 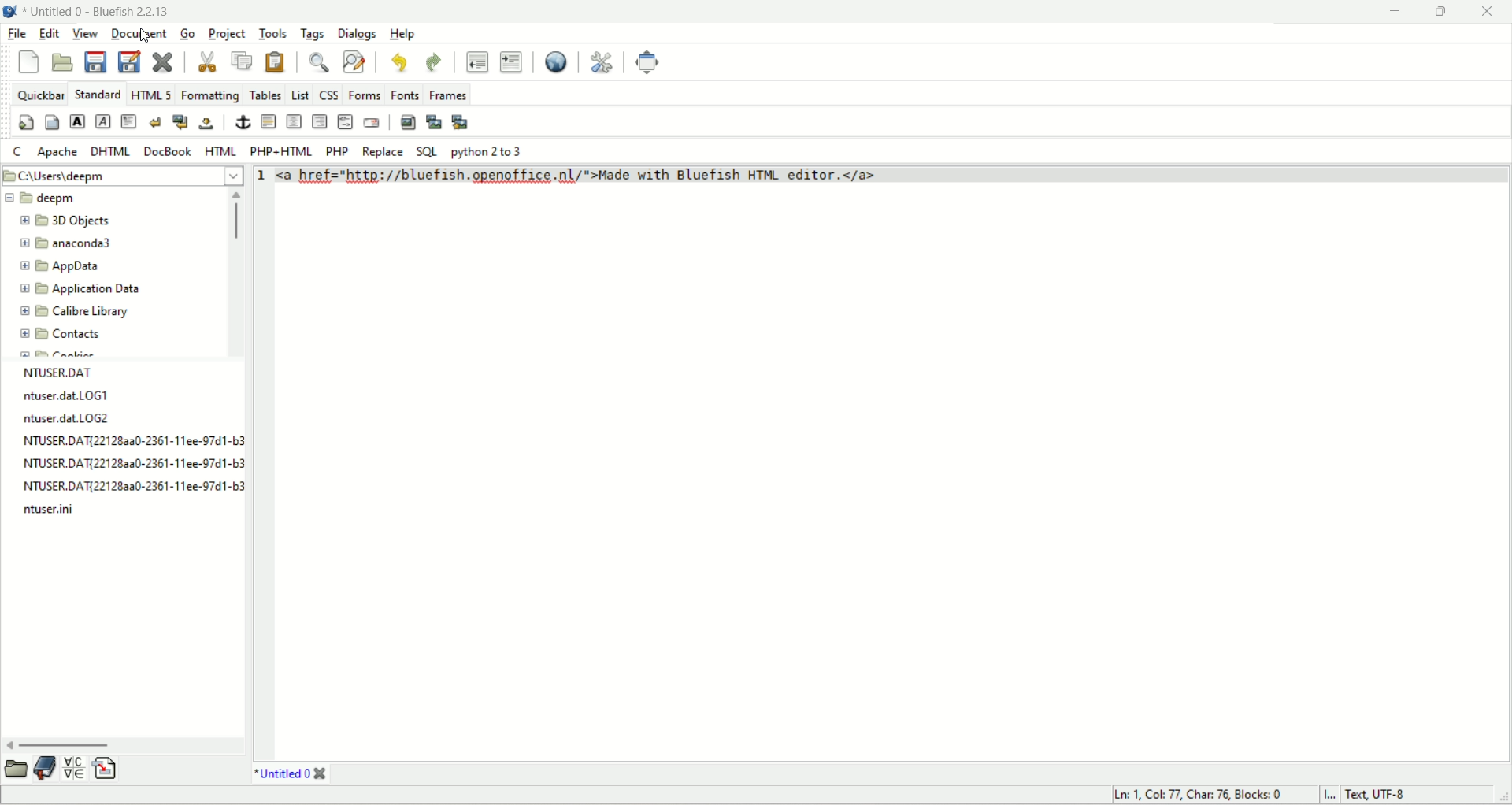 I want to click on close, so click(x=1488, y=12).